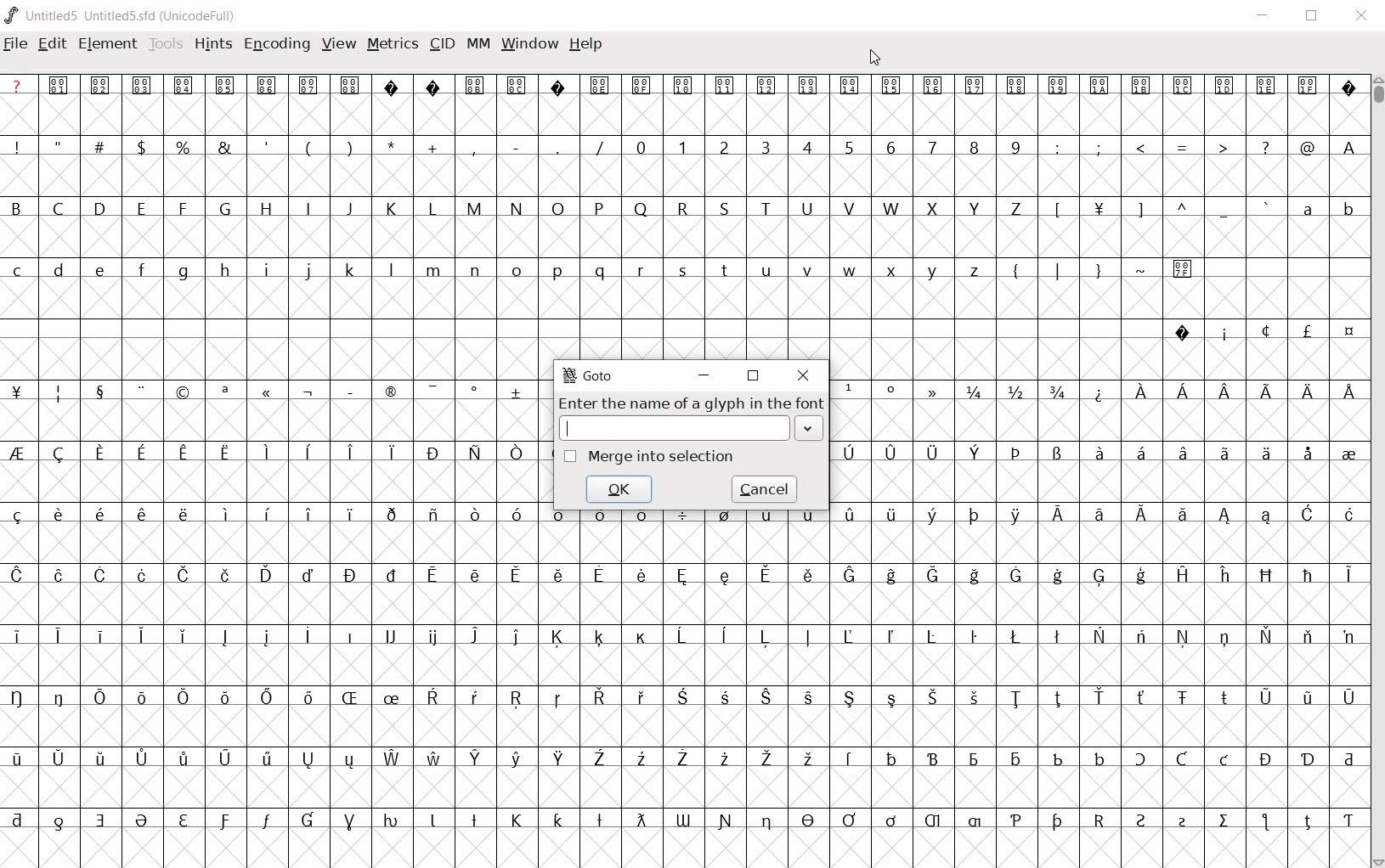 This screenshot has width=1385, height=868. I want to click on Symbol, so click(391, 393).